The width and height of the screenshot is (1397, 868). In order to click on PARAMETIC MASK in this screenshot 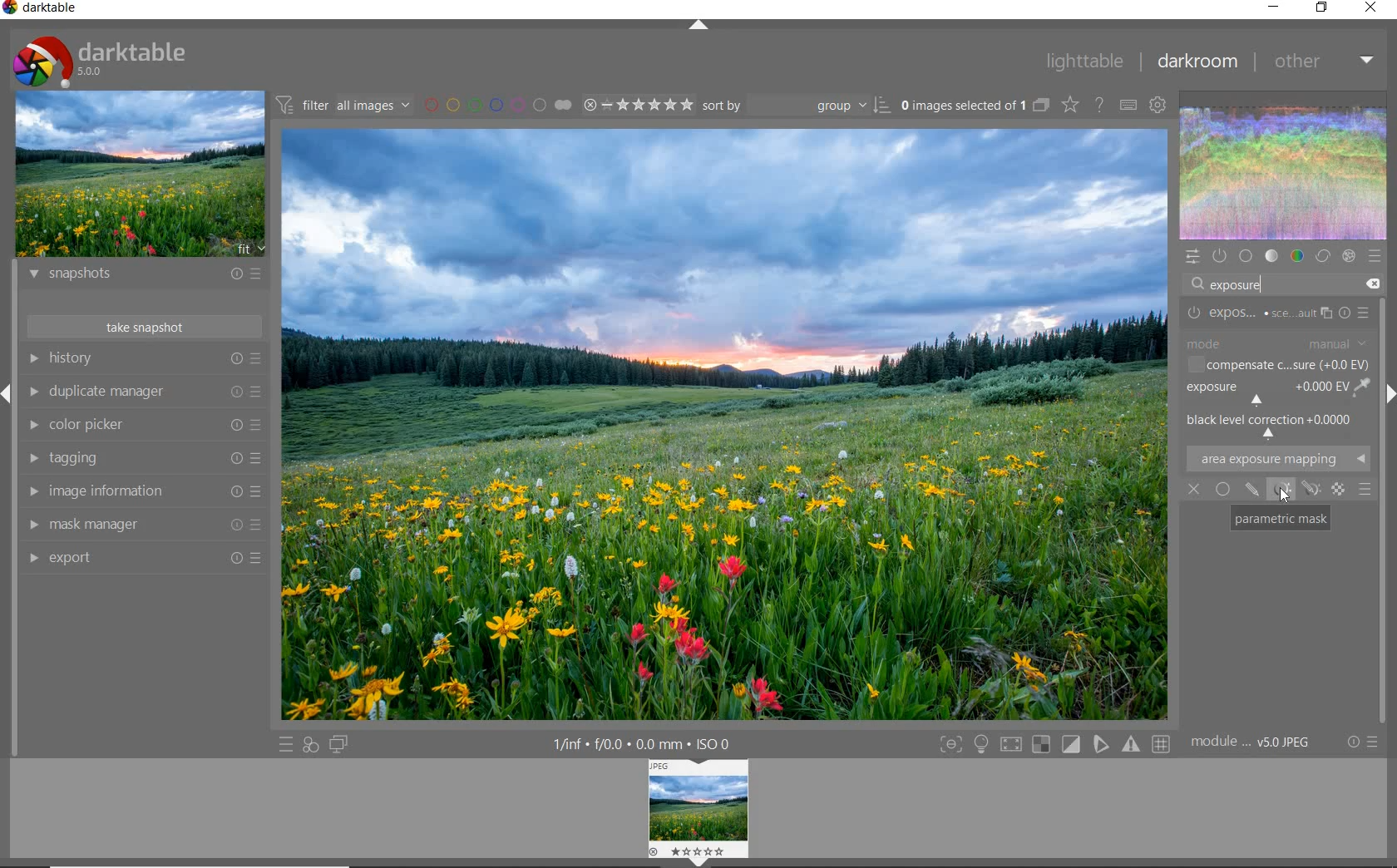, I will do `click(1278, 519)`.